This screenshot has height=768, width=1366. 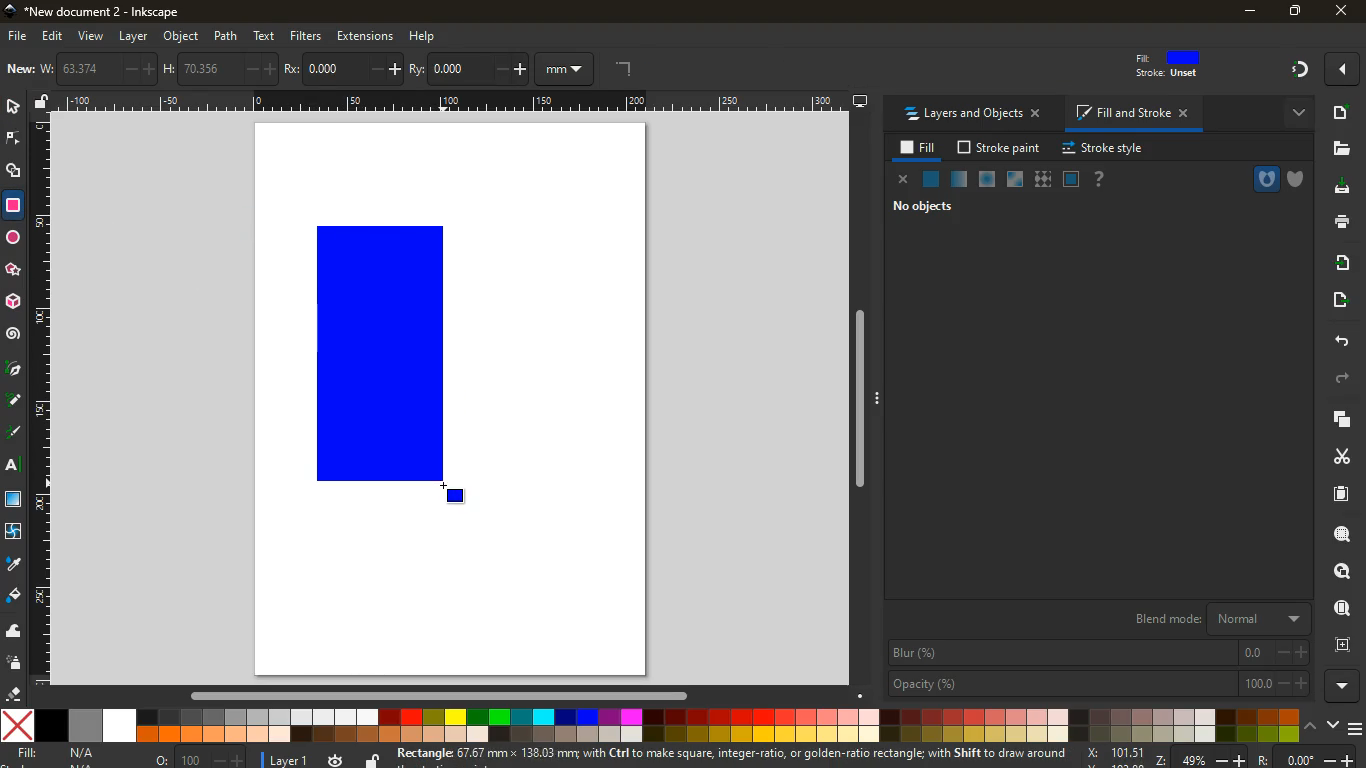 I want to click on files, so click(x=1334, y=148).